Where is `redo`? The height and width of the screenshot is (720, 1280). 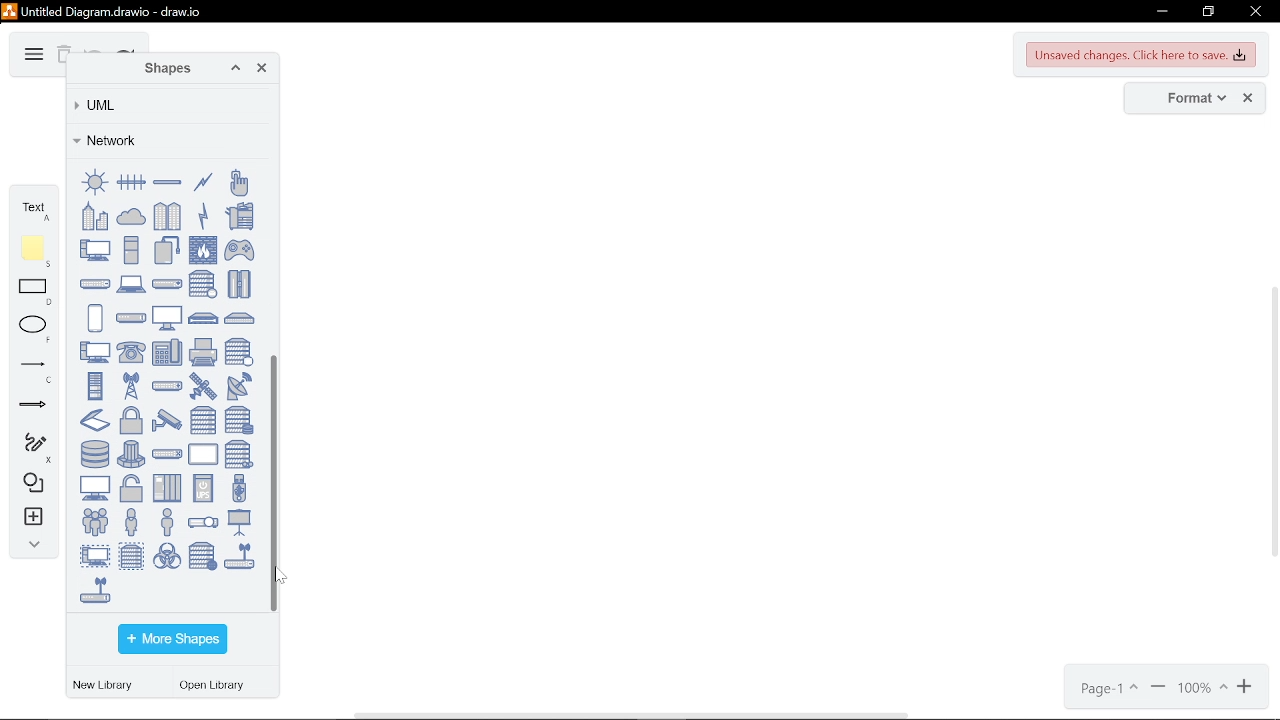 redo is located at coordinates (126, 50).